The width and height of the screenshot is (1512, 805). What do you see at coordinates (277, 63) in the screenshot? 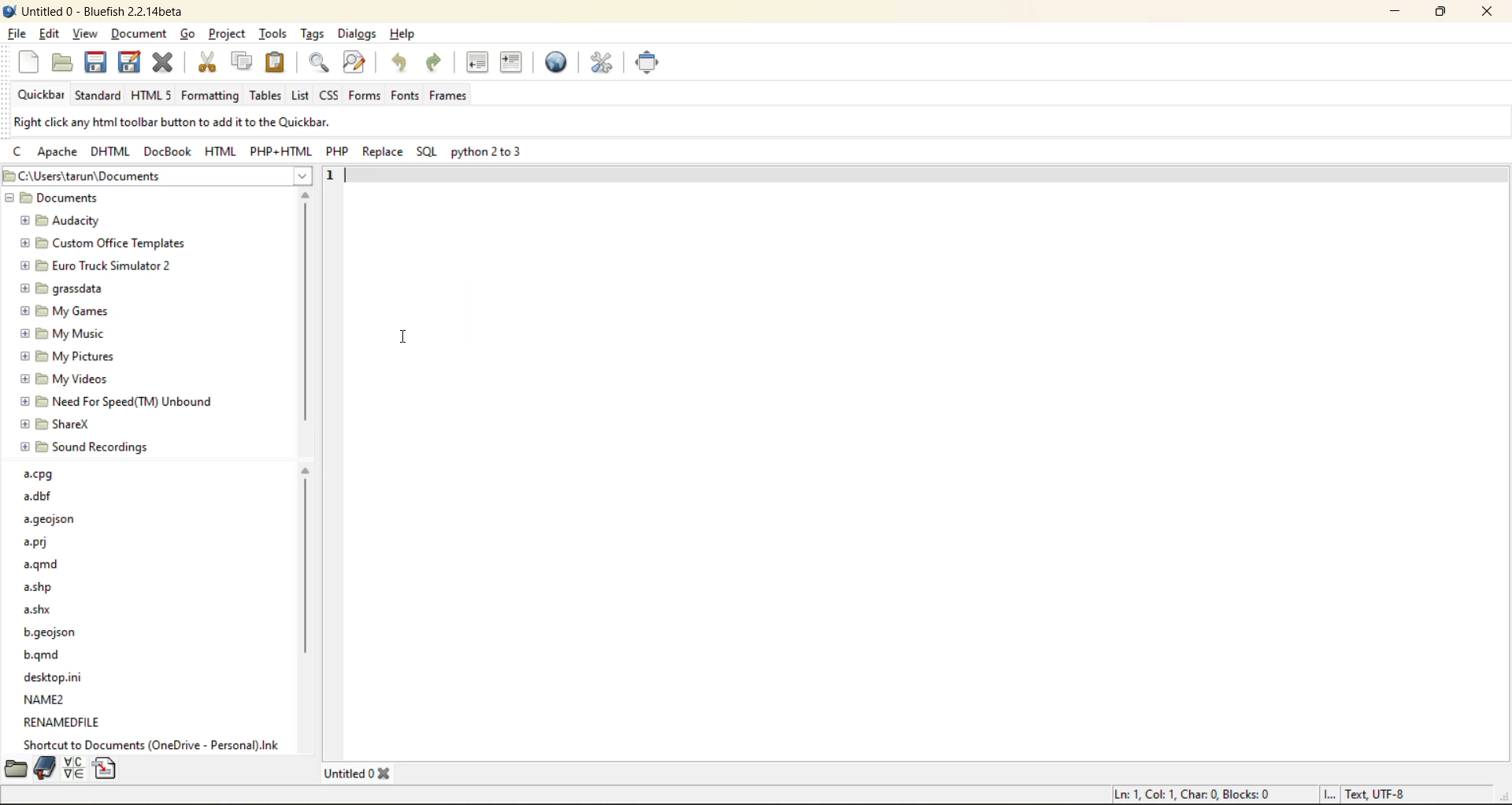
I see `paste` at bounding box center [277, 63].